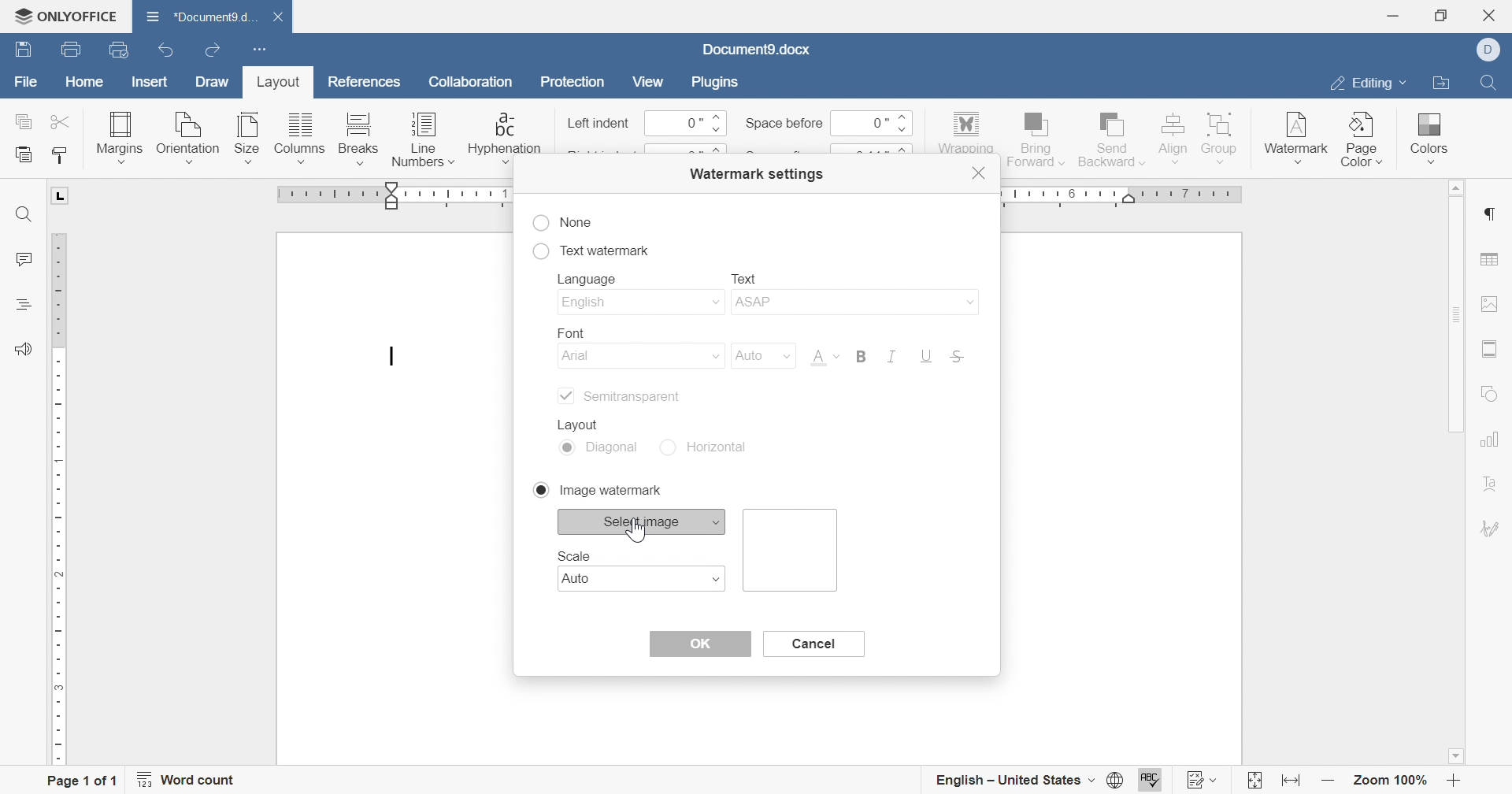 This screenshot has width=1512, height=794. What do you see at coordinates (21, 304) in the screenshot?
I see `headings` at bounding box center [21, 304].